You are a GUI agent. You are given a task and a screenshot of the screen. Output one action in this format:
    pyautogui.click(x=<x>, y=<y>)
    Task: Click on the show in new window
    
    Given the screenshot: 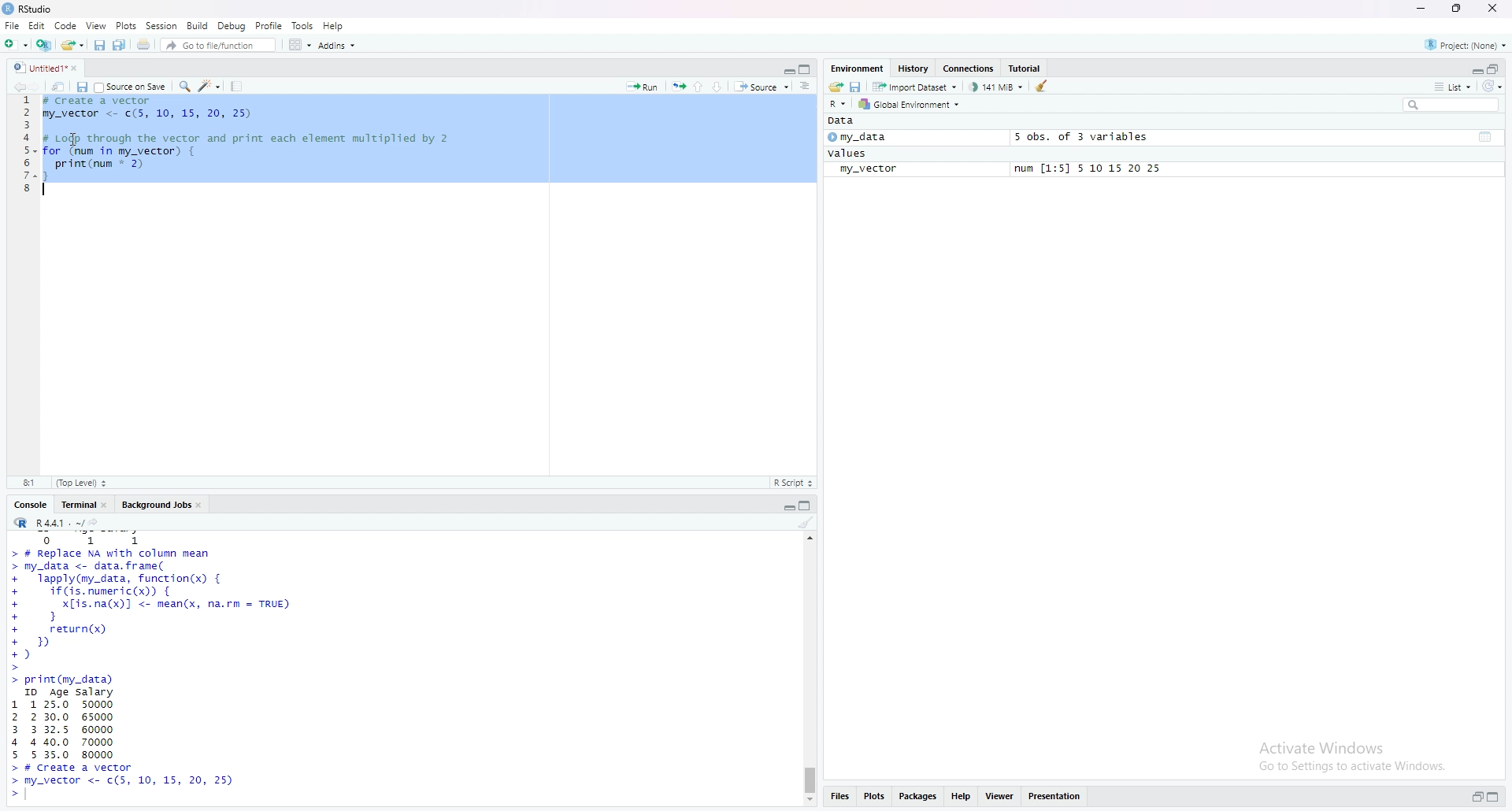 What is the action you would take?
    pyautogui.click(x=59, y=87)
    